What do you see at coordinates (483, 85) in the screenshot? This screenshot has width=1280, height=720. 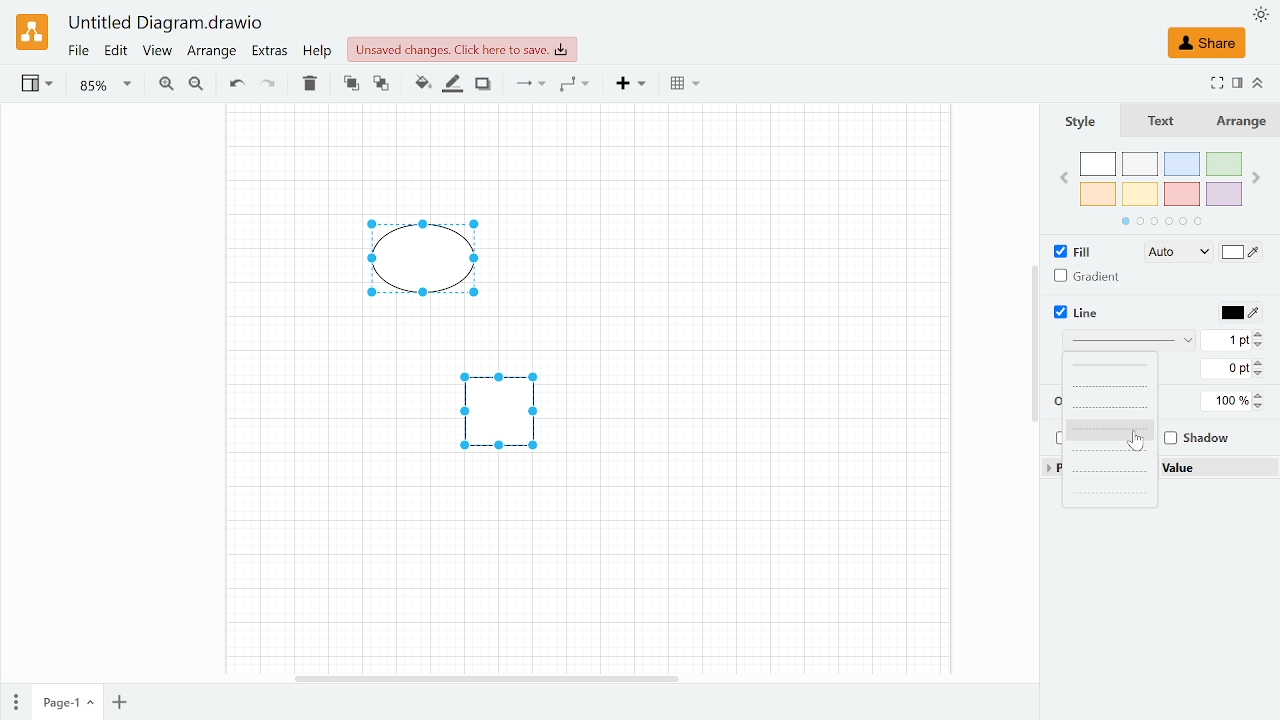 I see `Shadow` at bounding box center [483, 85].